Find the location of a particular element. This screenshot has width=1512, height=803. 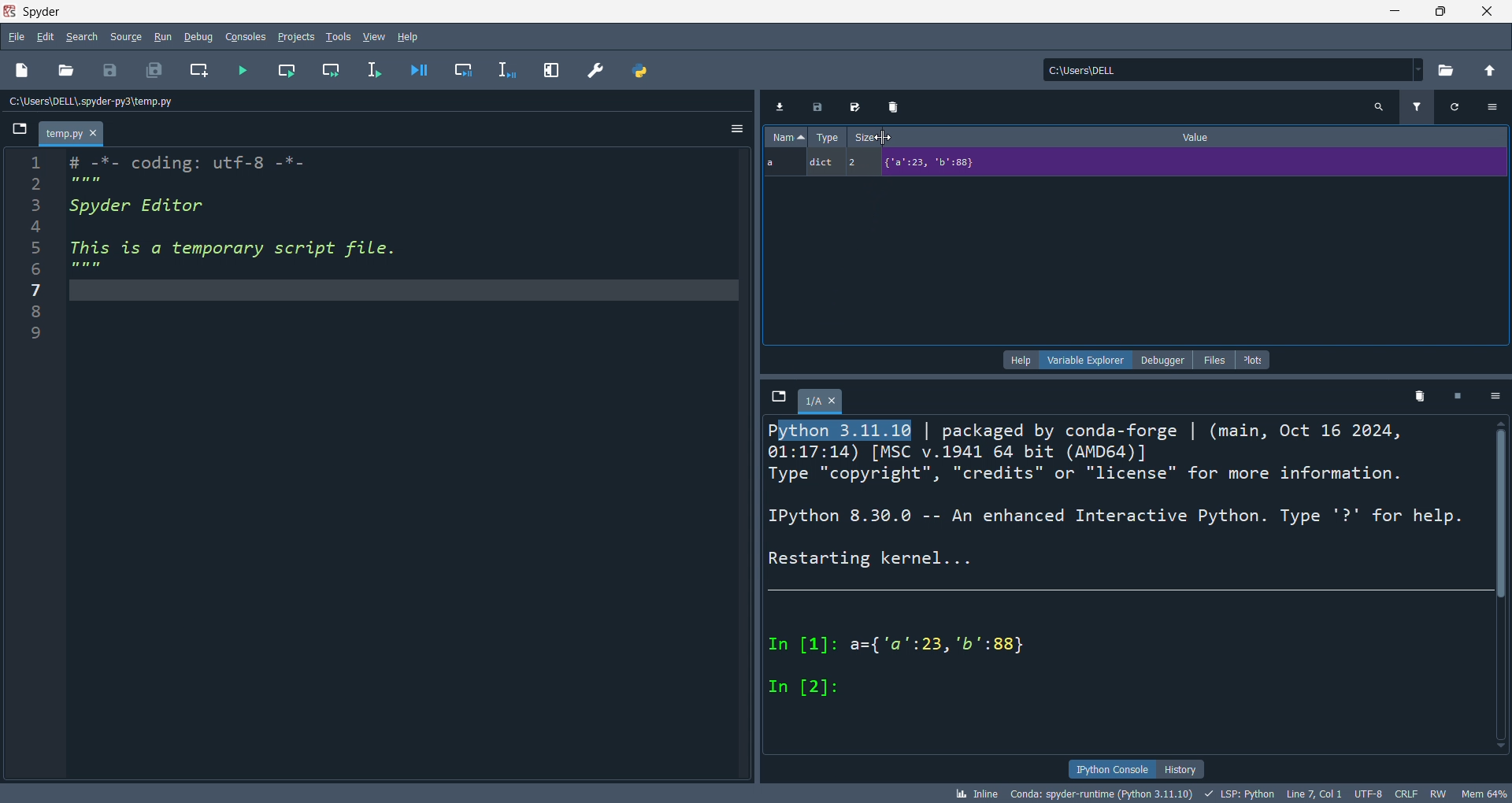

line number is located at coordinates (28, 457).